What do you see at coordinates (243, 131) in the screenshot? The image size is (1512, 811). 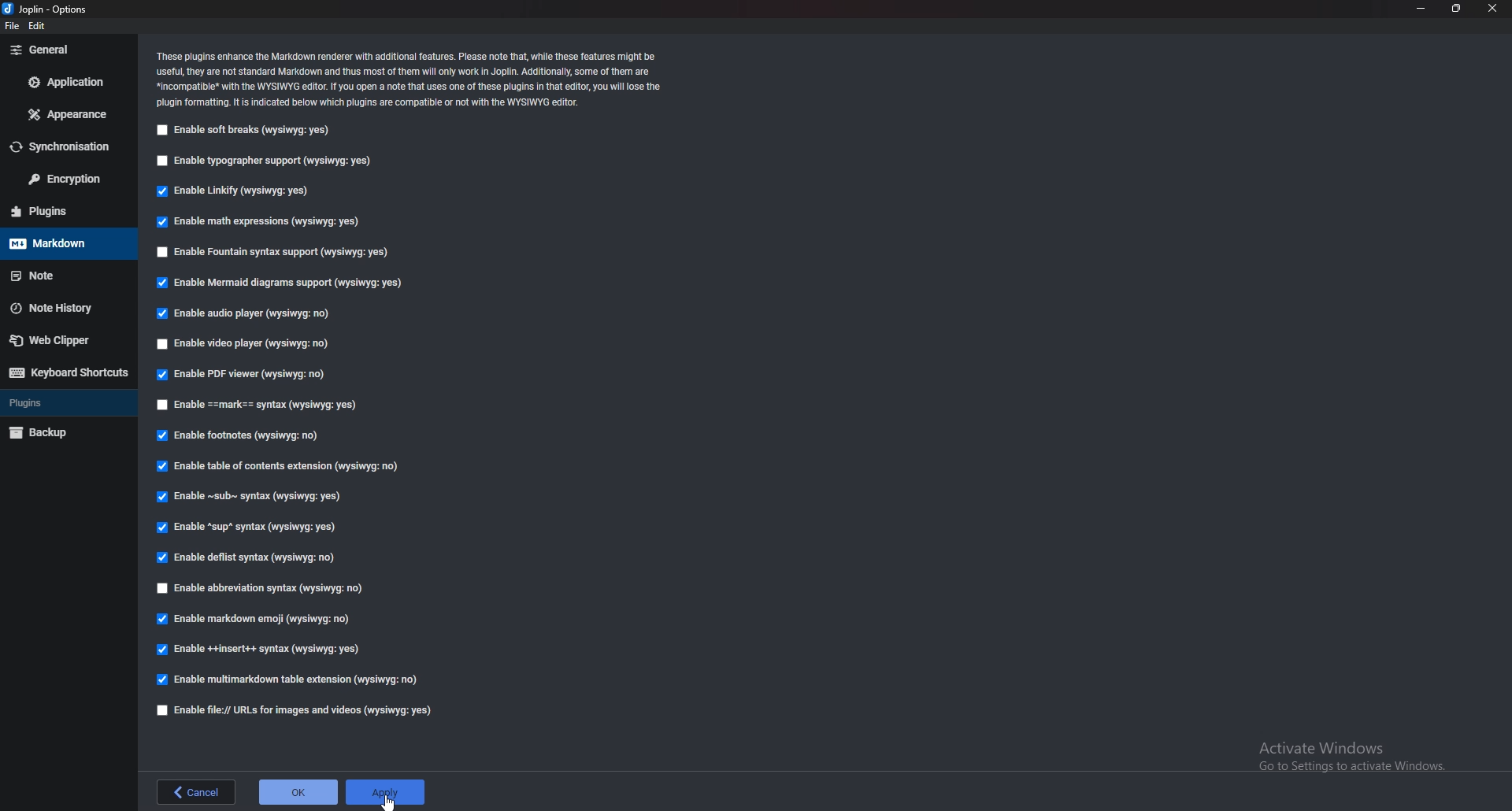 I see `Enable soft breaks (wysiqyg:yes)` at bounding box center [243, 131].